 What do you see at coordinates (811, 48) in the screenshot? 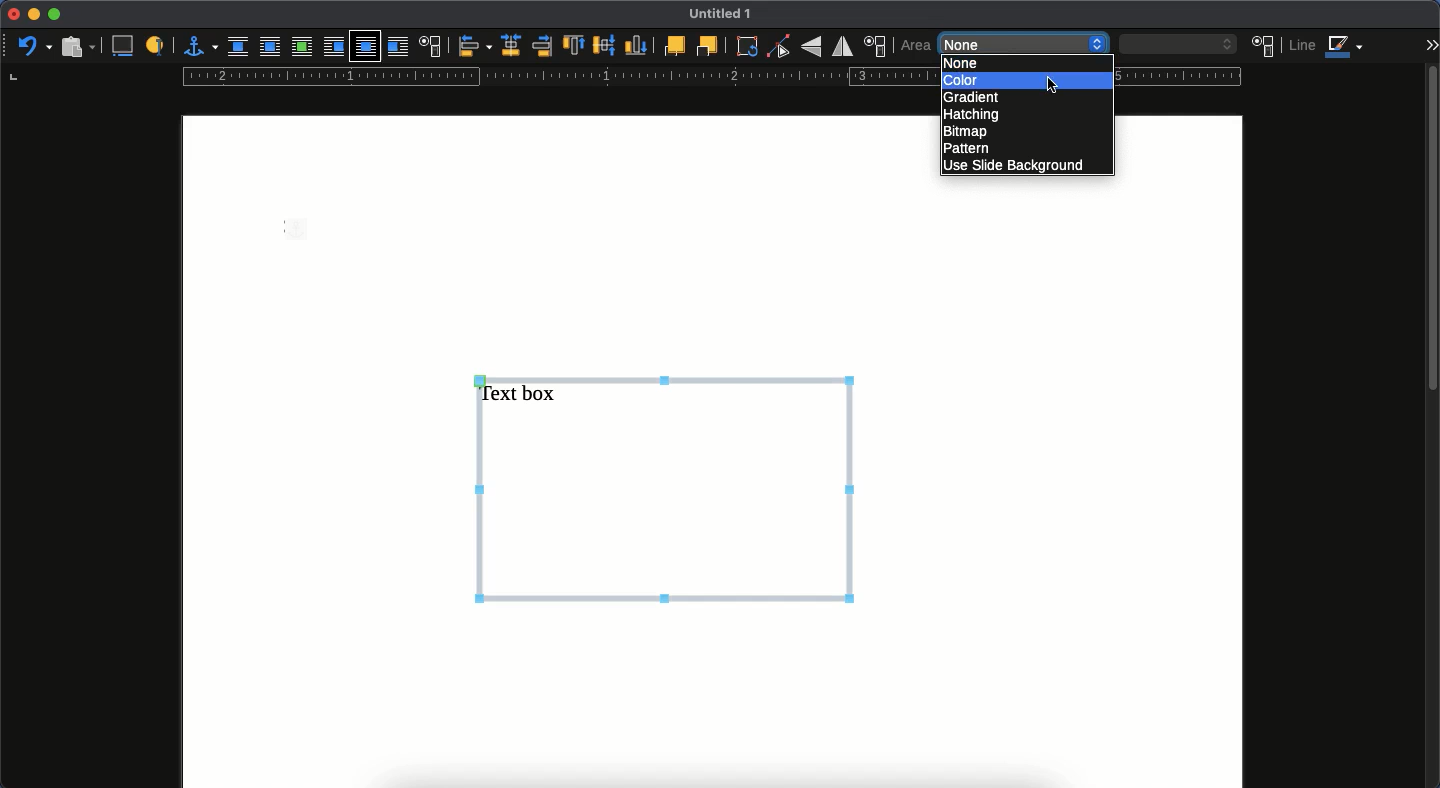
I see `rotate vertically` at bounding box center [811, 48].